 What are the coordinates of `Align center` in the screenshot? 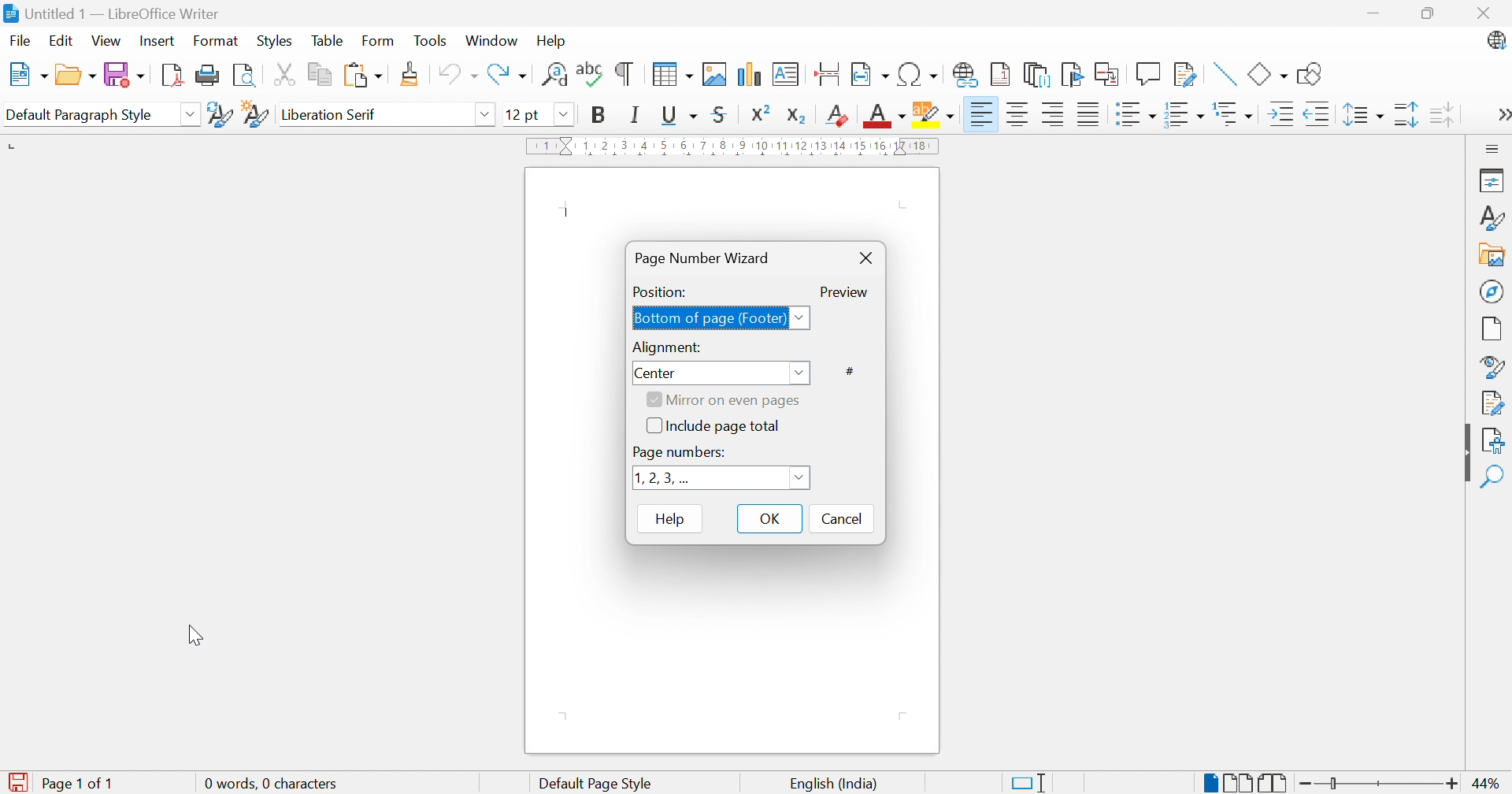 It's located at (1018, 115).